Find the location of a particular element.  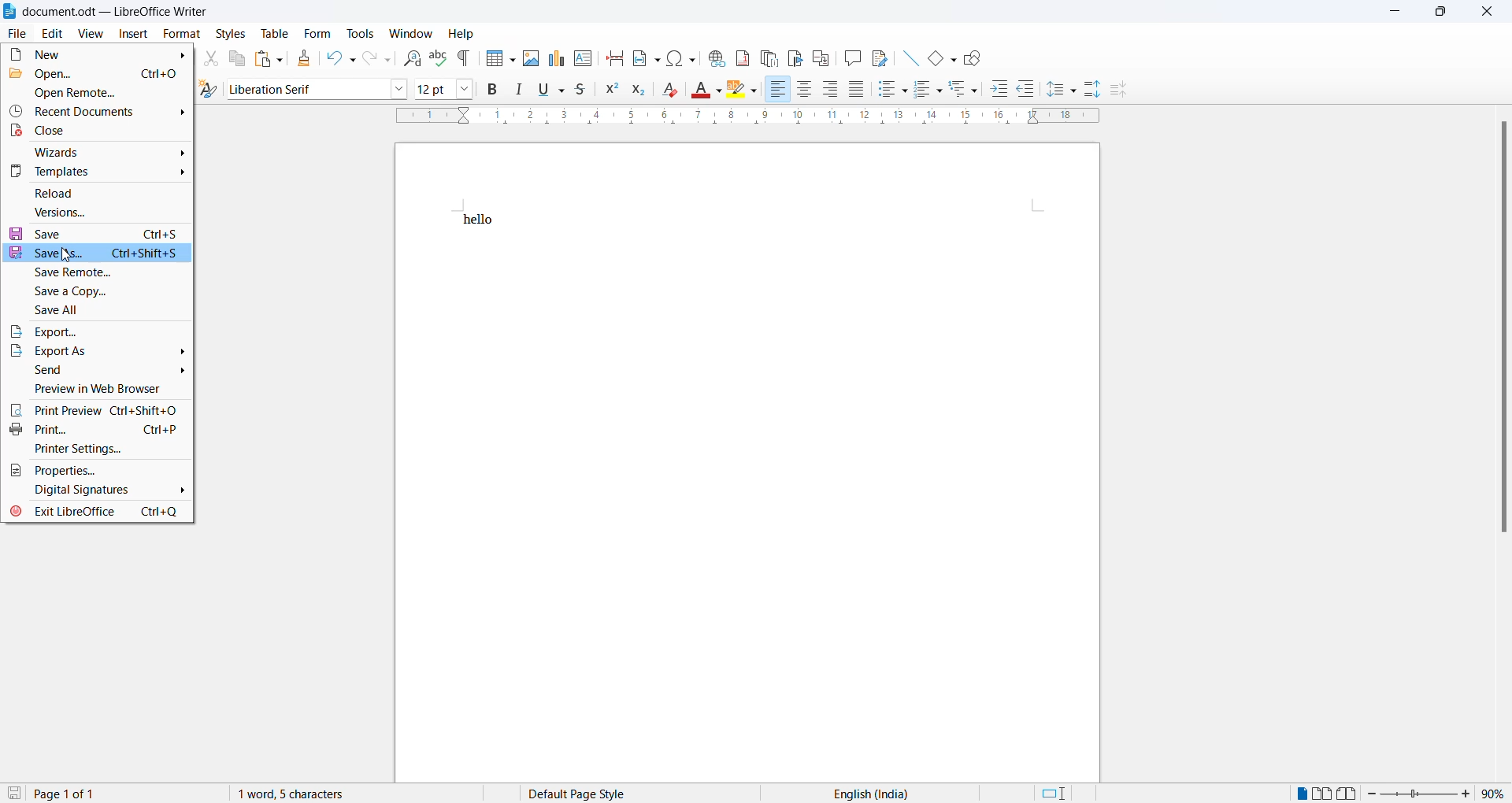

Align Centre is located at coordinates (804, 90).